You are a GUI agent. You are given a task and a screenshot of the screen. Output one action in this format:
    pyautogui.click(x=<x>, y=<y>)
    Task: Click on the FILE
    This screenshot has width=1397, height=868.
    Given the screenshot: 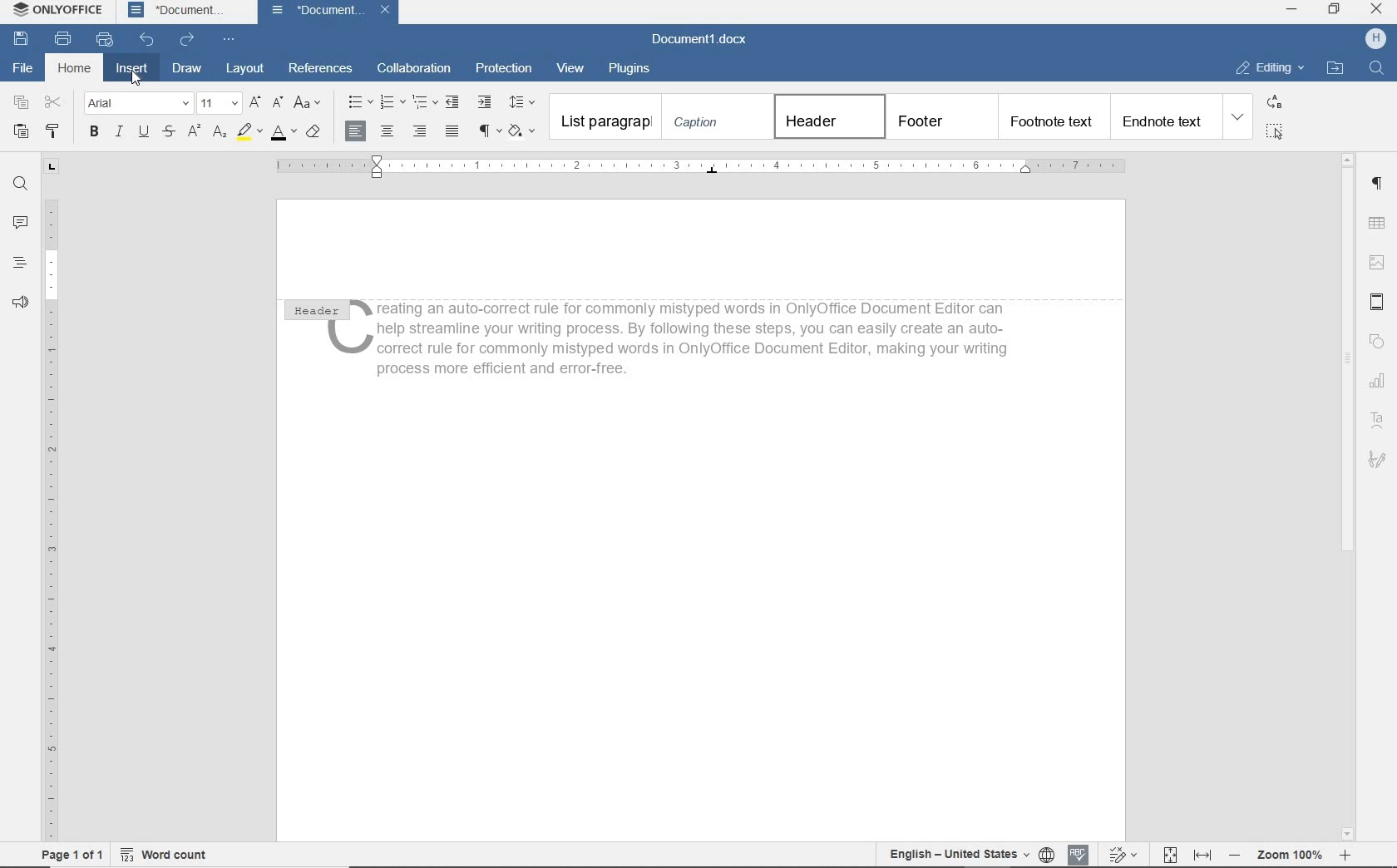 What is the action you would take?
    pyautogui.click(x=21, y=67)
    